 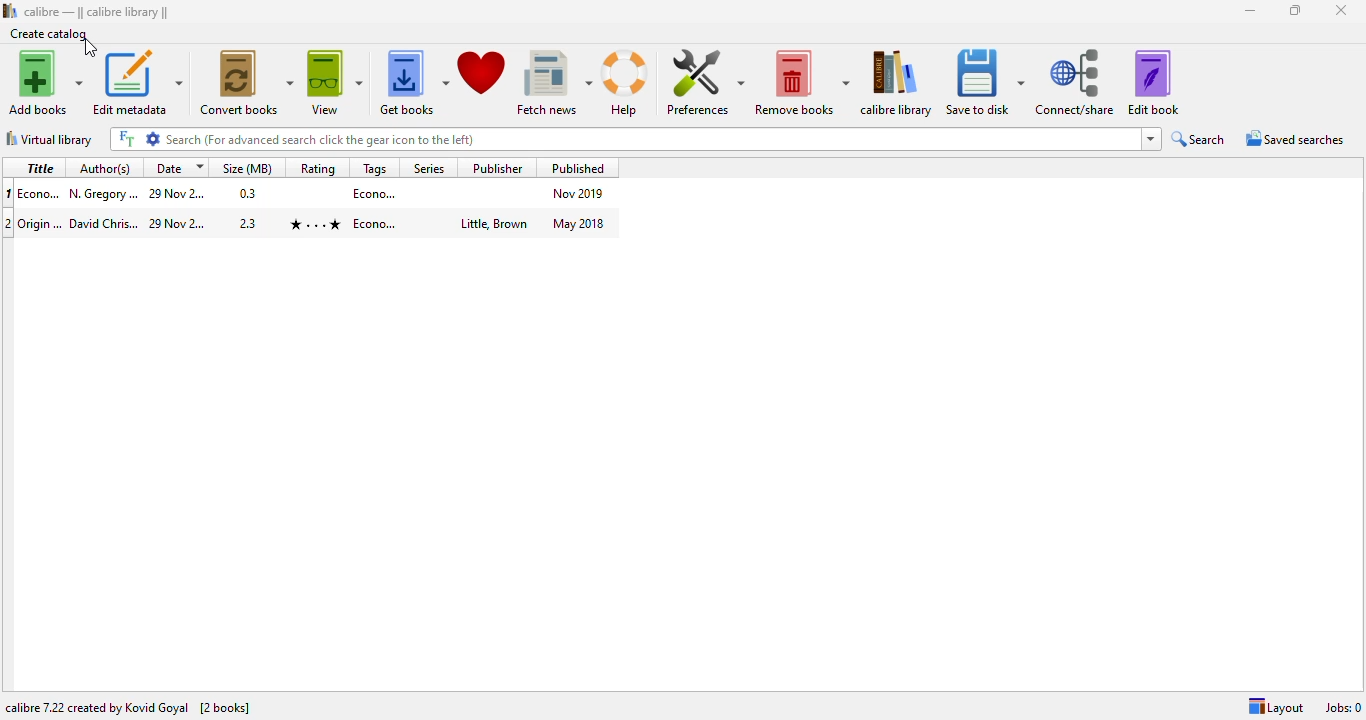 What do you see at coordinates (96, 13) in the screenshot?
I see `calibre library` at bounding box center [96, 13].